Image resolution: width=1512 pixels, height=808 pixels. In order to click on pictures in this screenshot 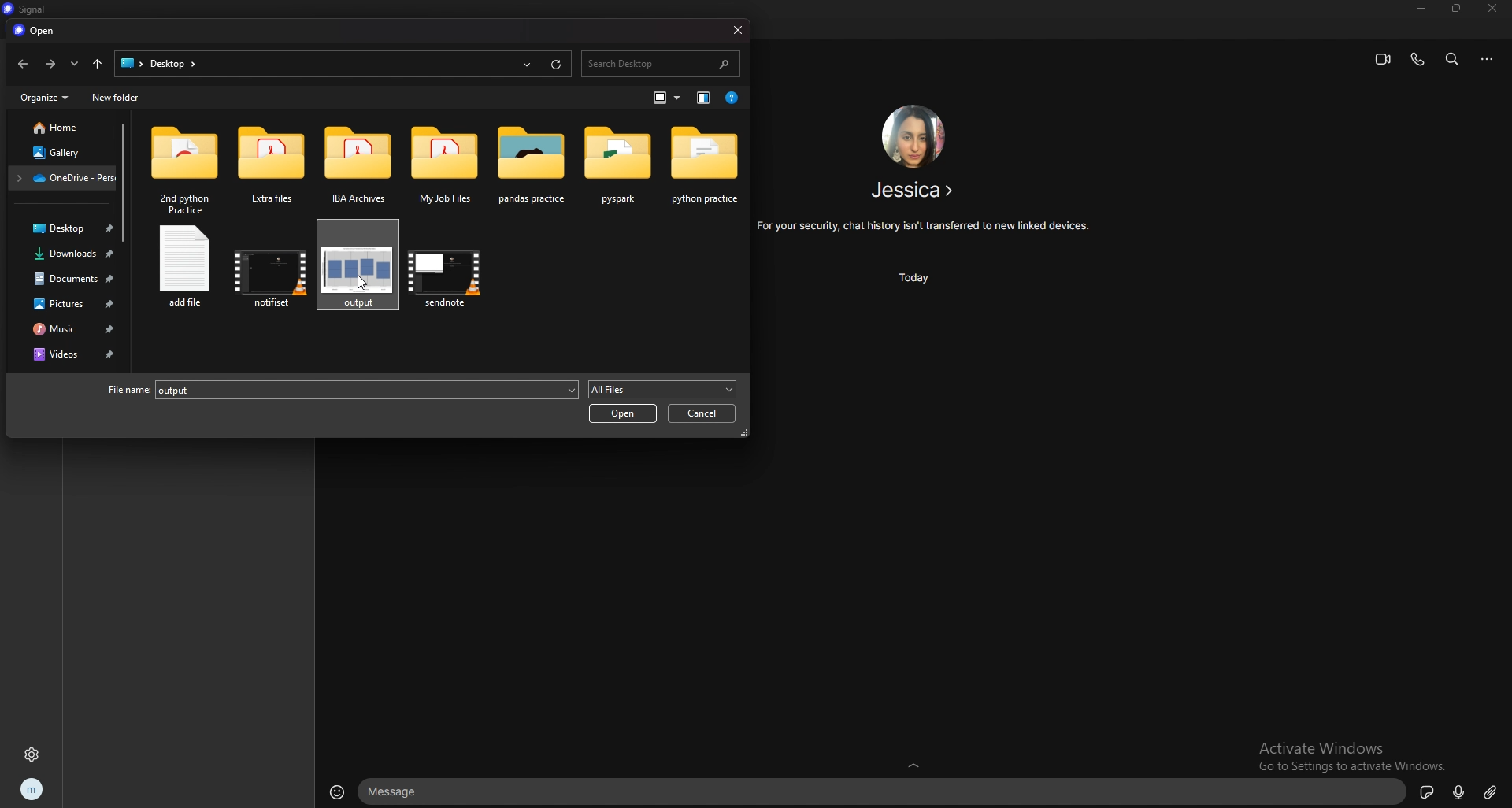, I will do `click(64, 304)`.